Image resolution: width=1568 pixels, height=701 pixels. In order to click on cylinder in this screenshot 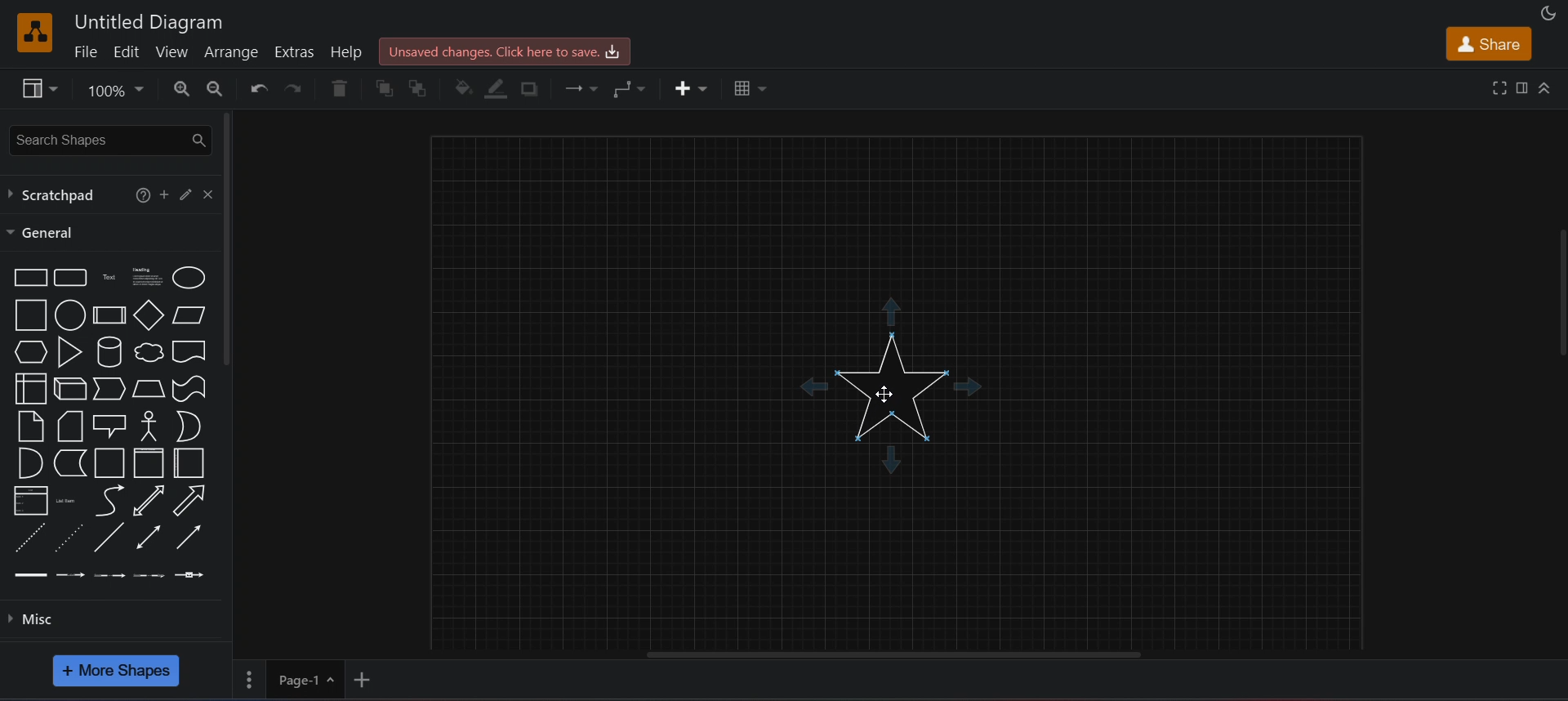, I will do `click(107, 351)`.